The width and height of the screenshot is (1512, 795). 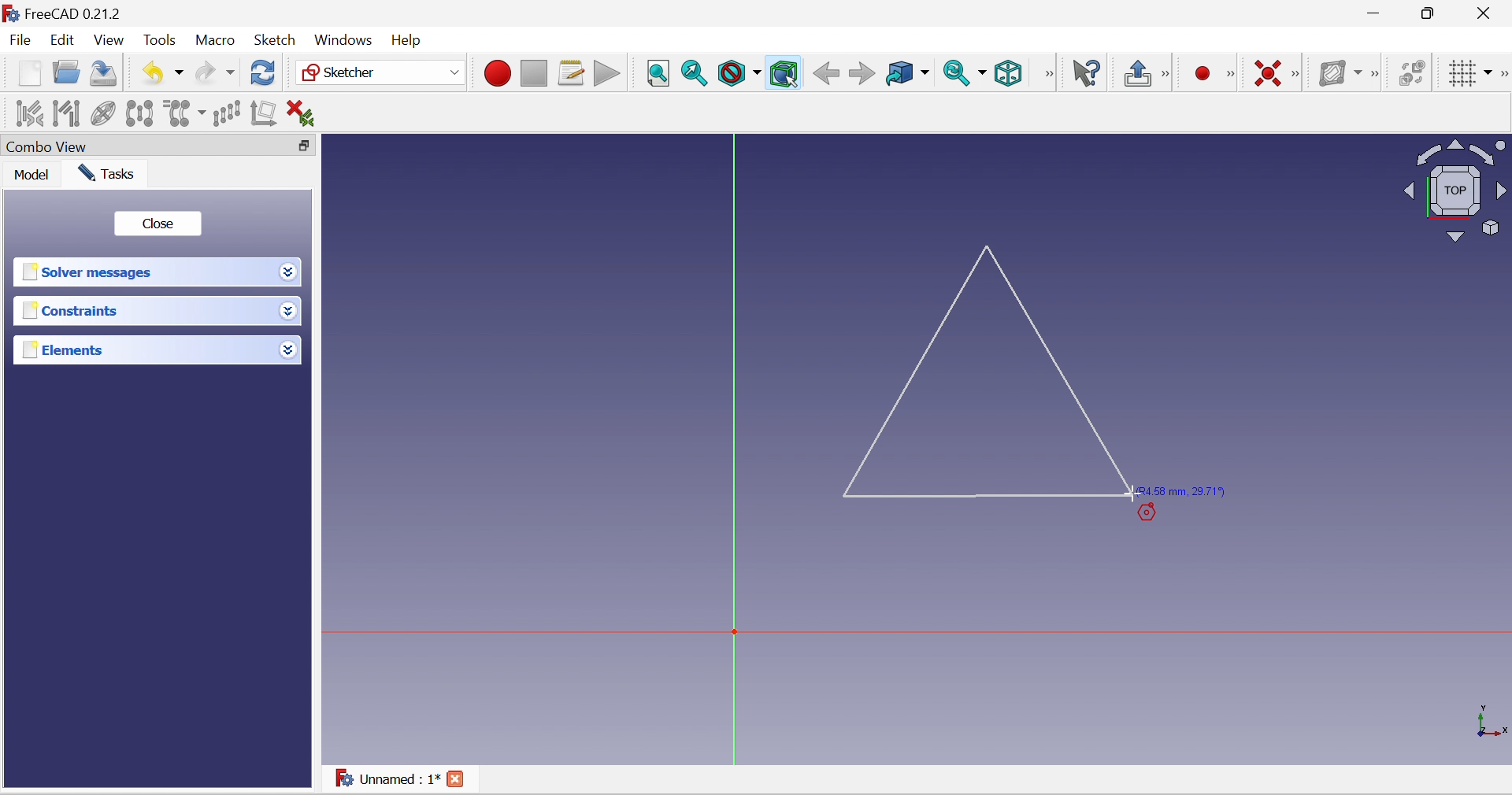 What do you see at coordinates (966, 74) in the screenshot?
I see `Sync view` at bounding box center [966, 74].